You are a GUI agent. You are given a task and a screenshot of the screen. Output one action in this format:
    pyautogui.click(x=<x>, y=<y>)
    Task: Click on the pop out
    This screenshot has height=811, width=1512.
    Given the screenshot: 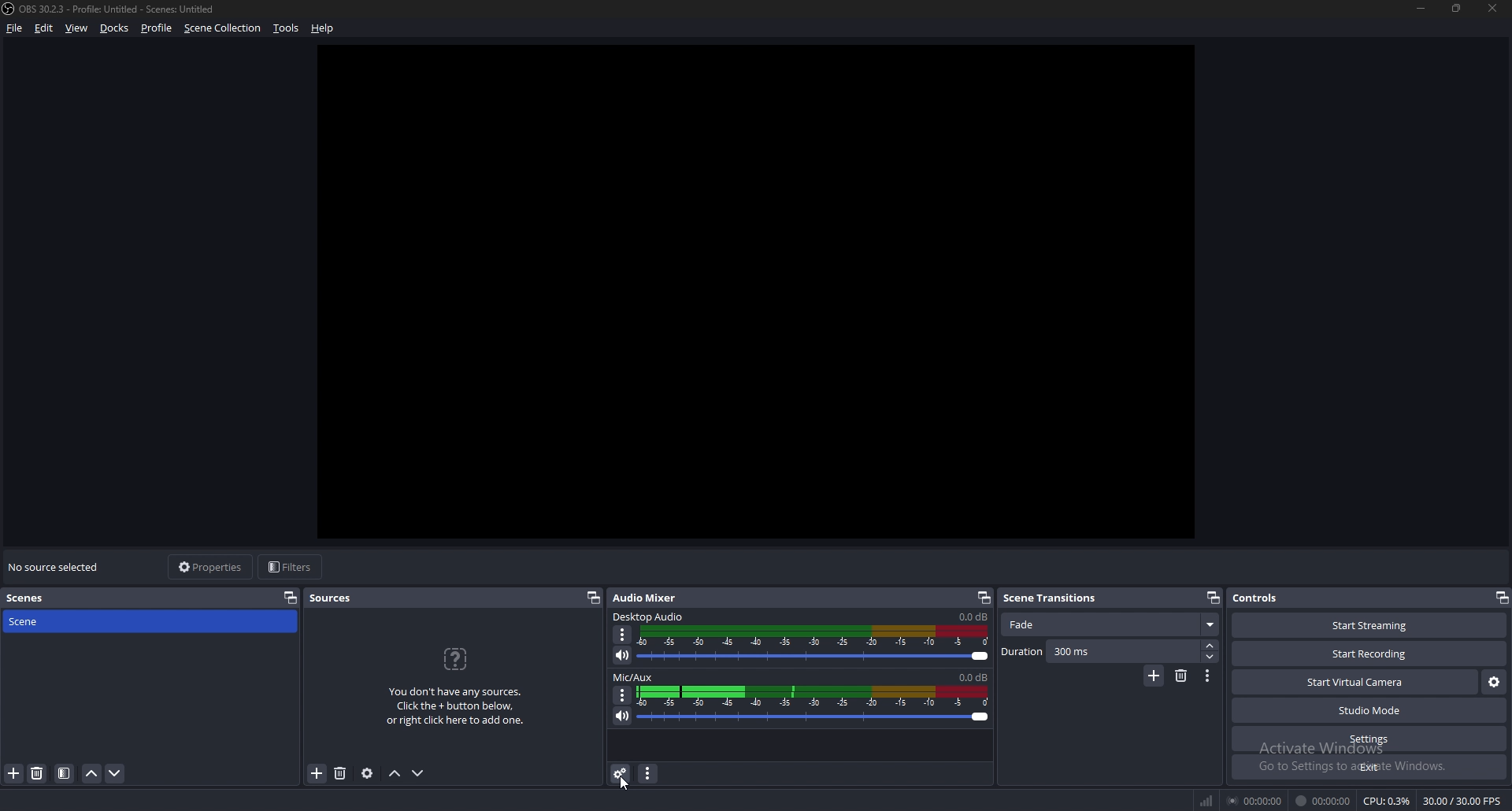 What is the action you would take?
    pyautogui.click(x=984, y=597)
    